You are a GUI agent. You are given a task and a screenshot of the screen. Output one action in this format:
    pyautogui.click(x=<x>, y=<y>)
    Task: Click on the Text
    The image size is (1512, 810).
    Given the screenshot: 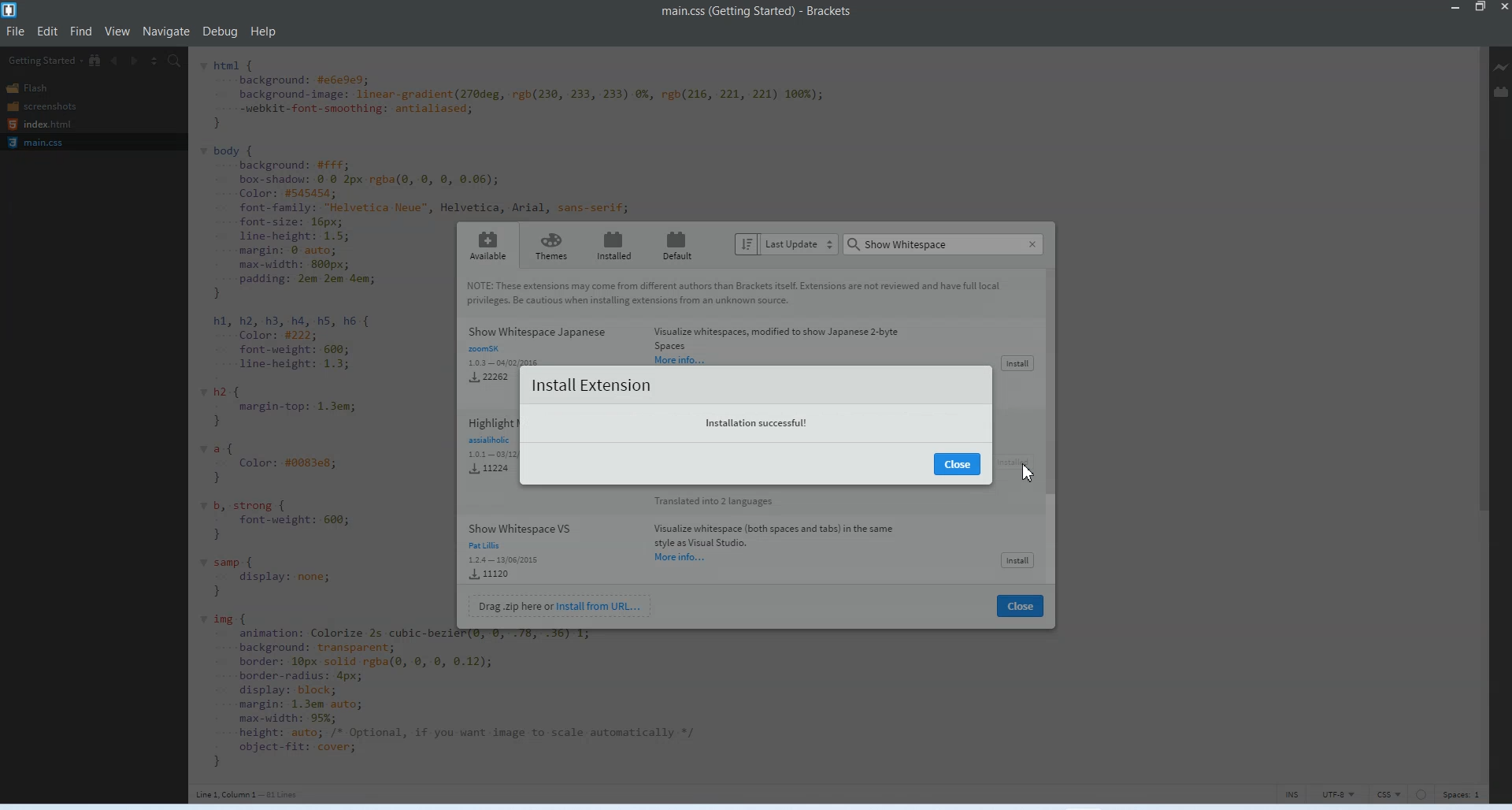 What is the action you would take?
    pyautogui.click(x=752, y=422)
    